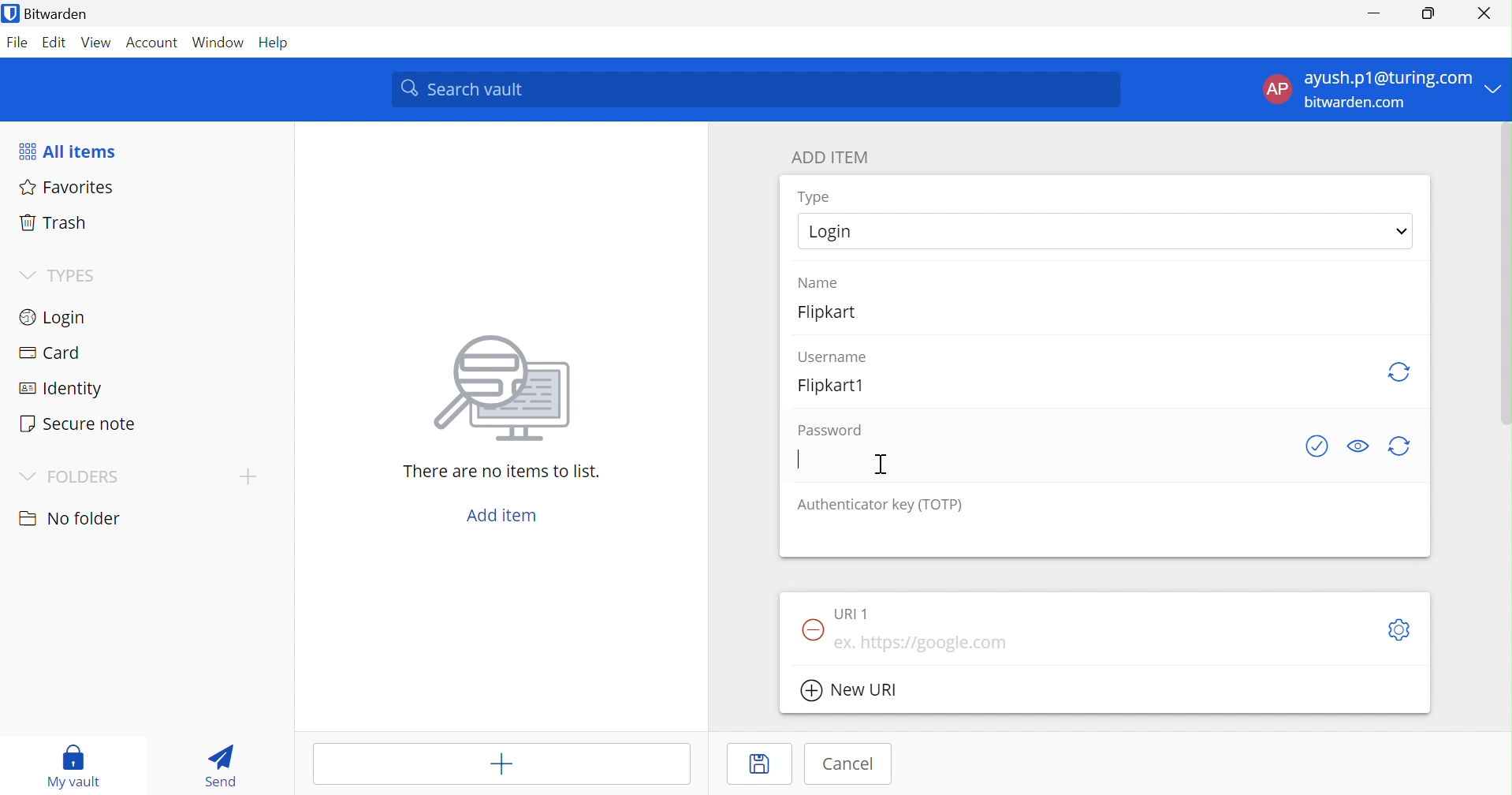 The width and height of the screenshot is (1512, 795). Describe the element at coordinates (749, 767) in the screenshot. I see `Save` at that location.